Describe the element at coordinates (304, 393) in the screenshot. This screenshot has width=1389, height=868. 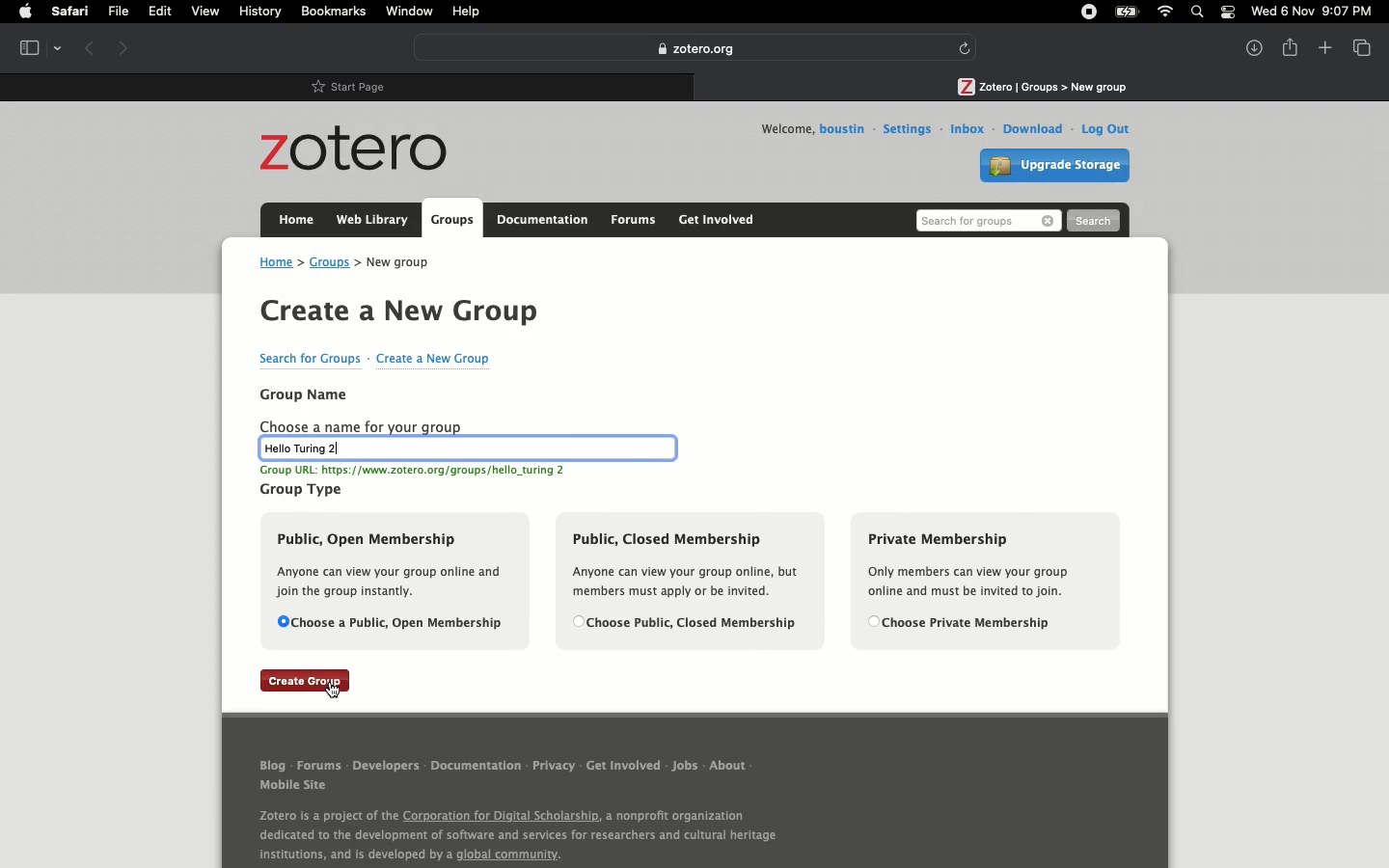
I see `Group name` at that location.